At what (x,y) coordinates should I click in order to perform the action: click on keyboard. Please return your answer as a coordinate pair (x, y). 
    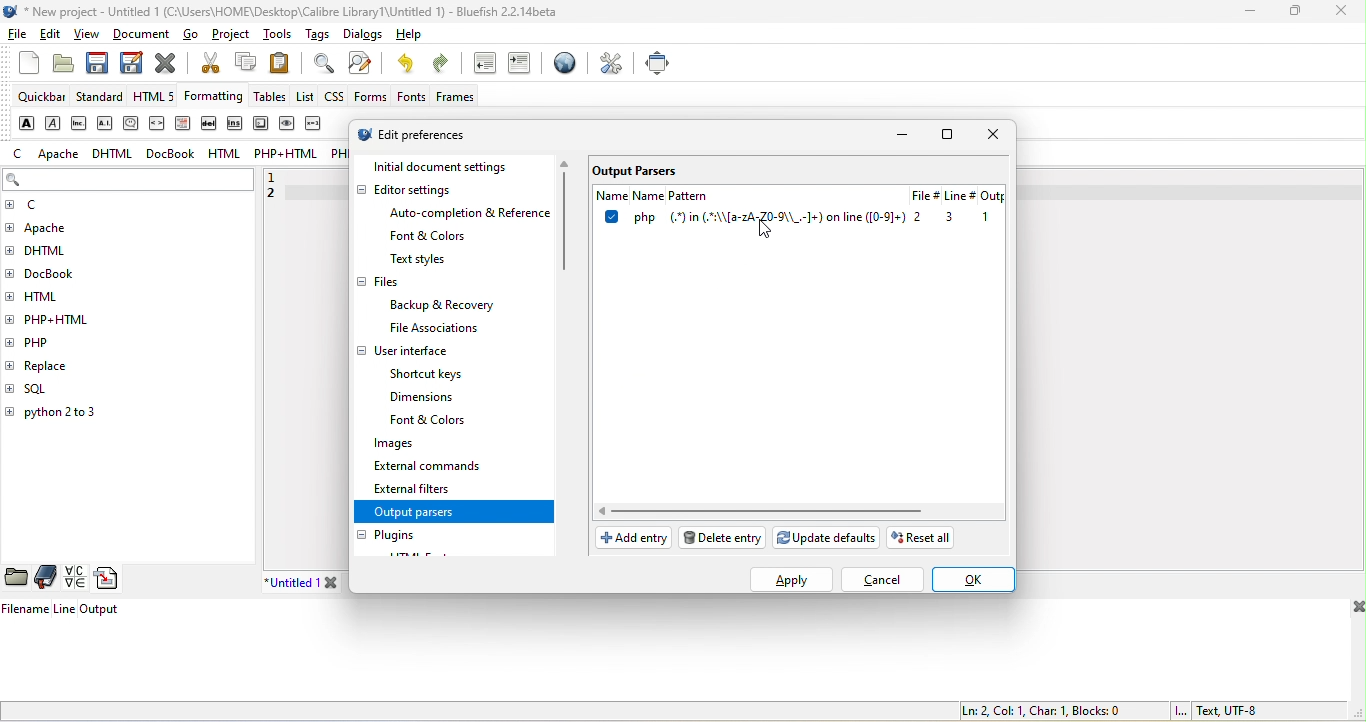
    Looking at the image, I should click on (260, 124).